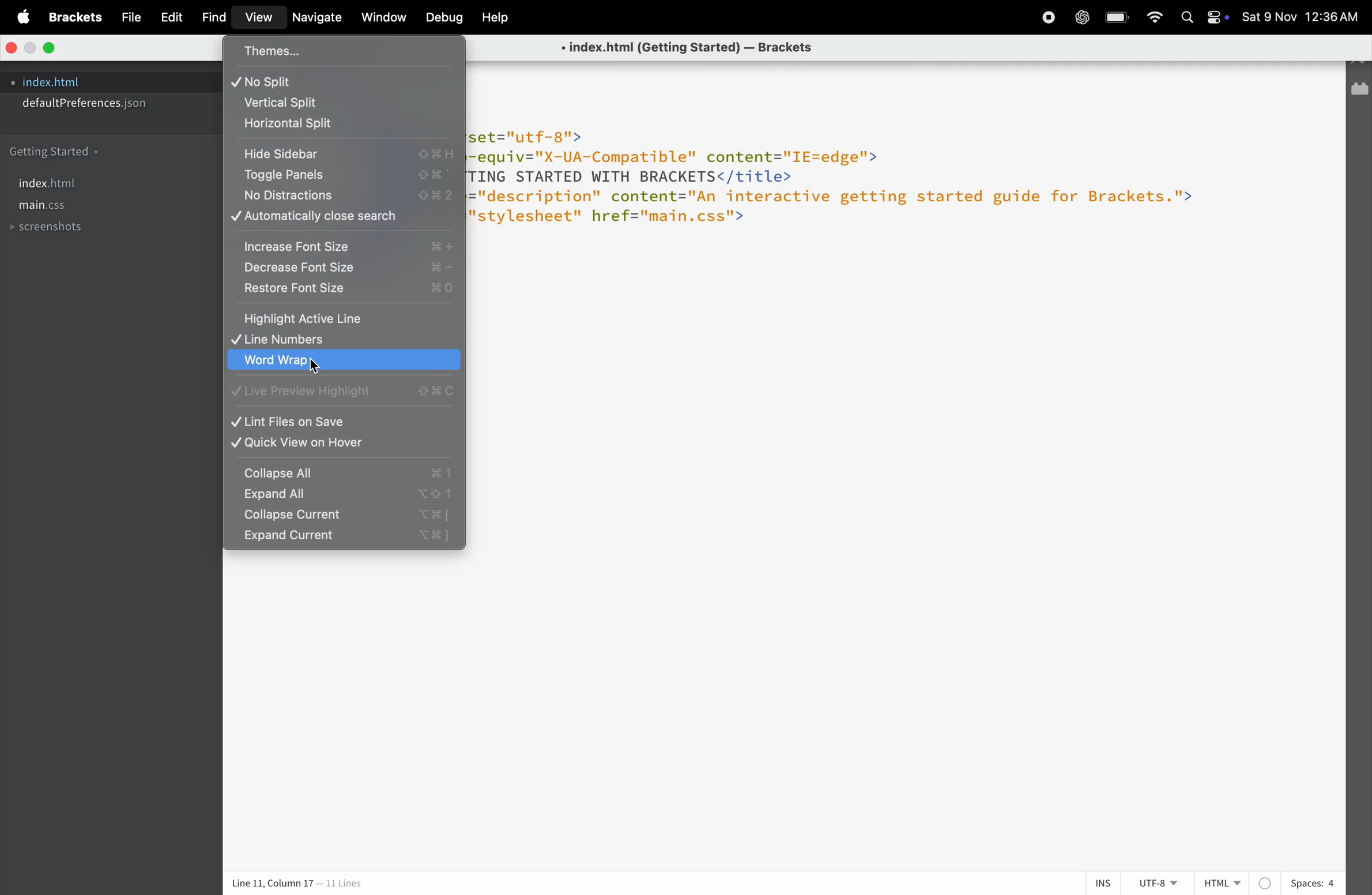  I want to click on collapse all, so click(345, 472).